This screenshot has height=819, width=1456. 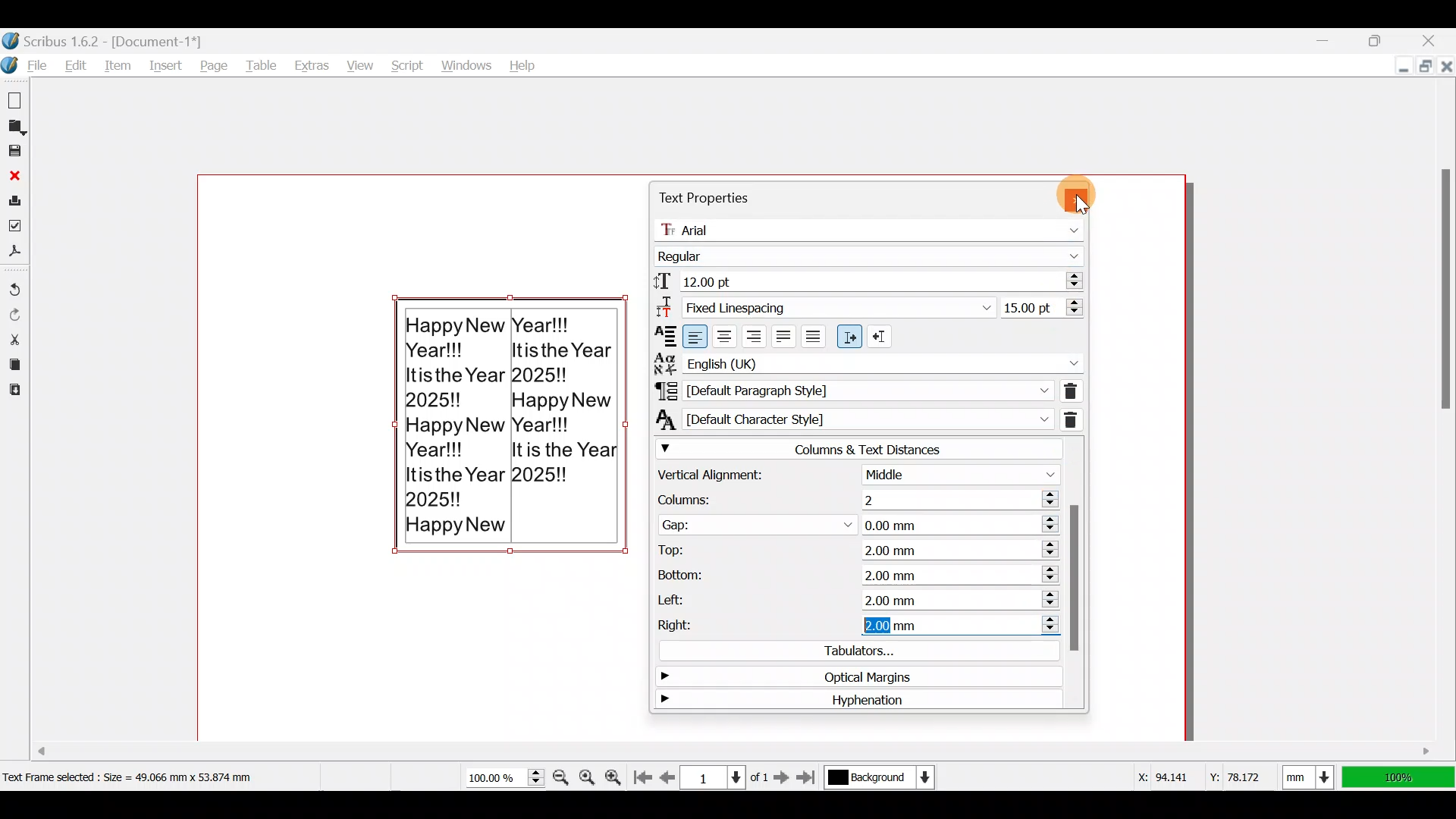 What do you see at coordinates (661, 335) in the screenshot?
I see `Text Alignment` at bounding box center [661, 335].